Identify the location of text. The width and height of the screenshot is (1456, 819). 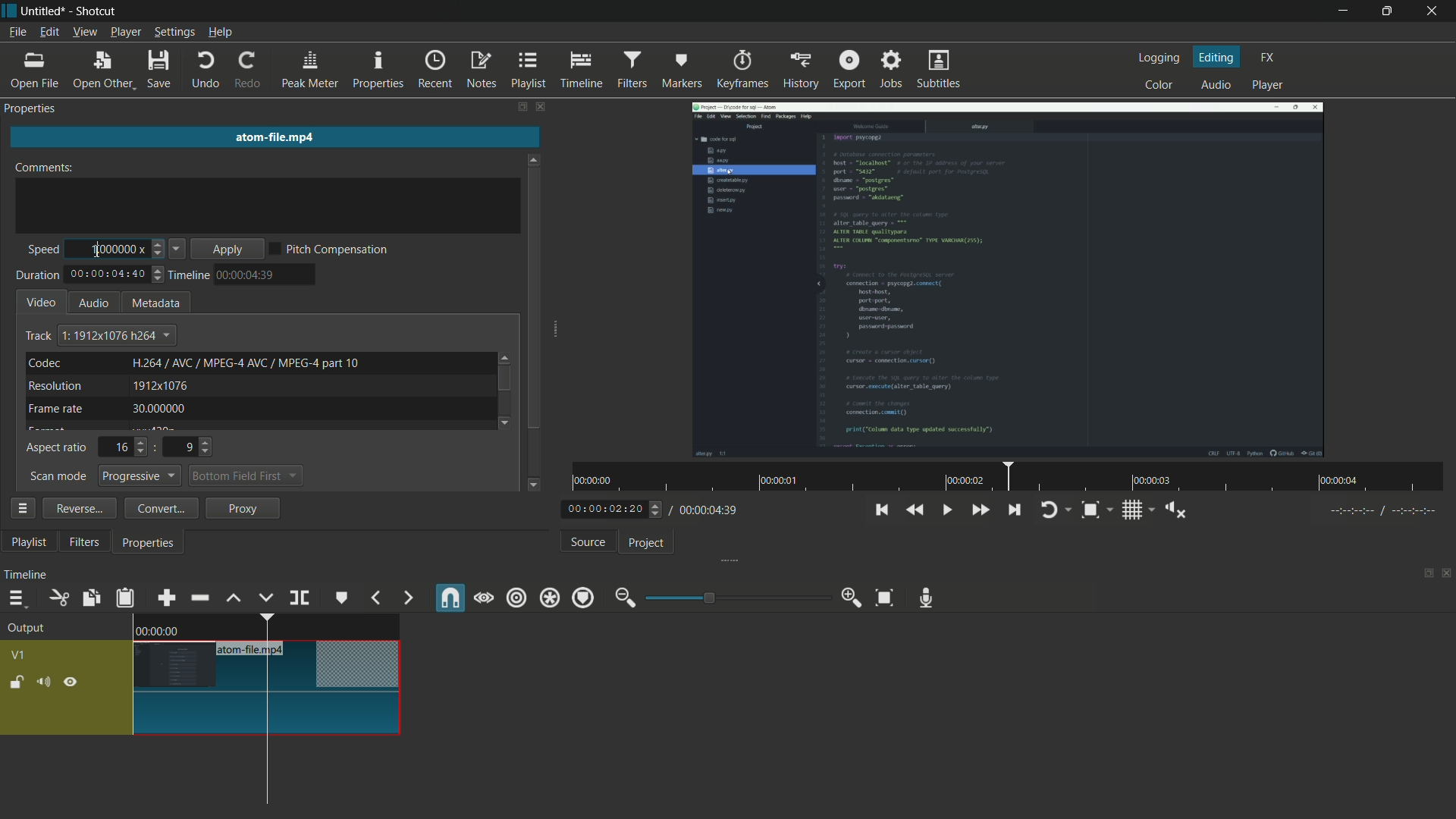
(117, 334).